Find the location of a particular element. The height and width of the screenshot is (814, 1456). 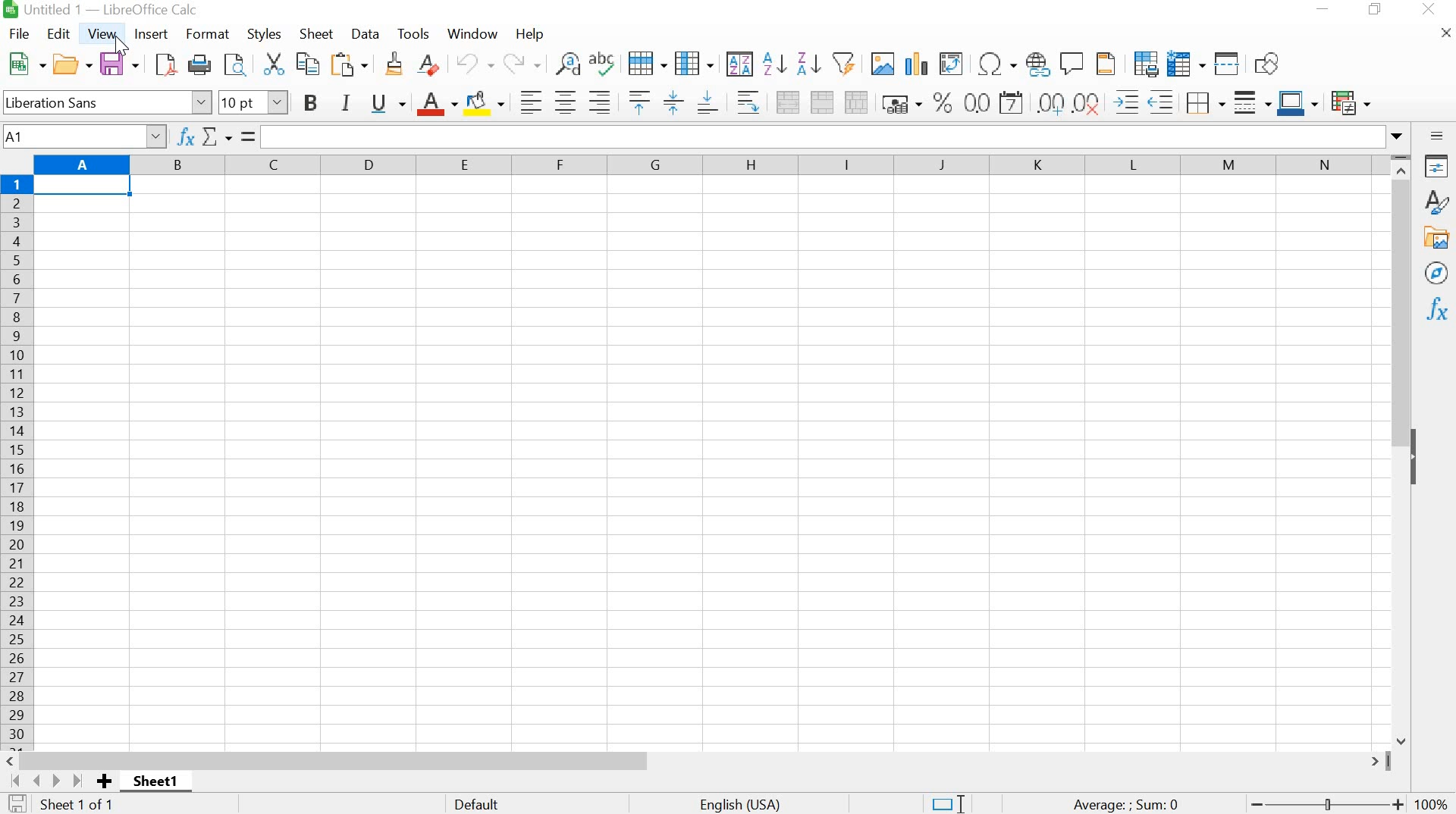

FORMAT is located at coordinates (209, 33).